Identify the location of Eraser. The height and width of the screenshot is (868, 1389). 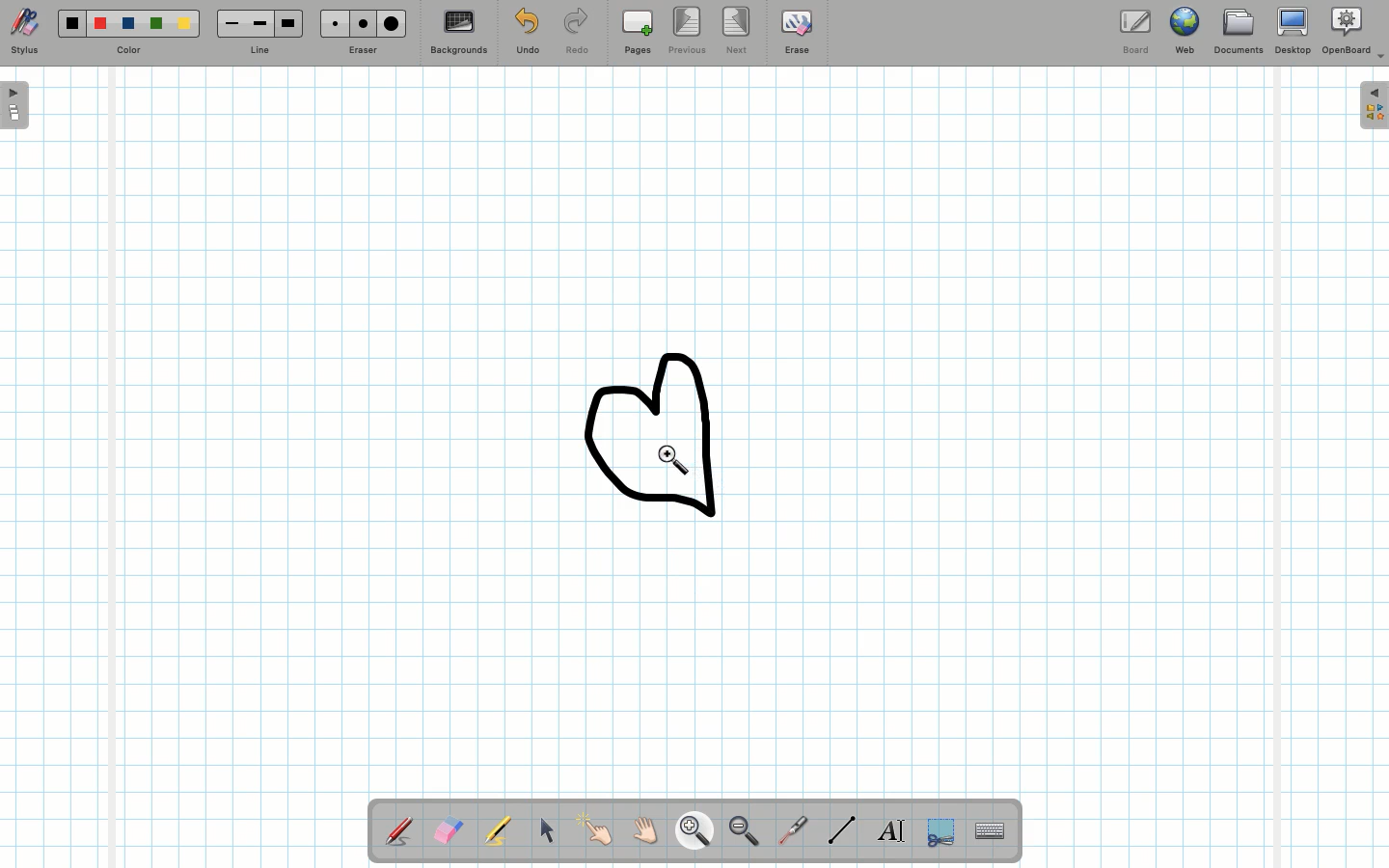
(448, 830).